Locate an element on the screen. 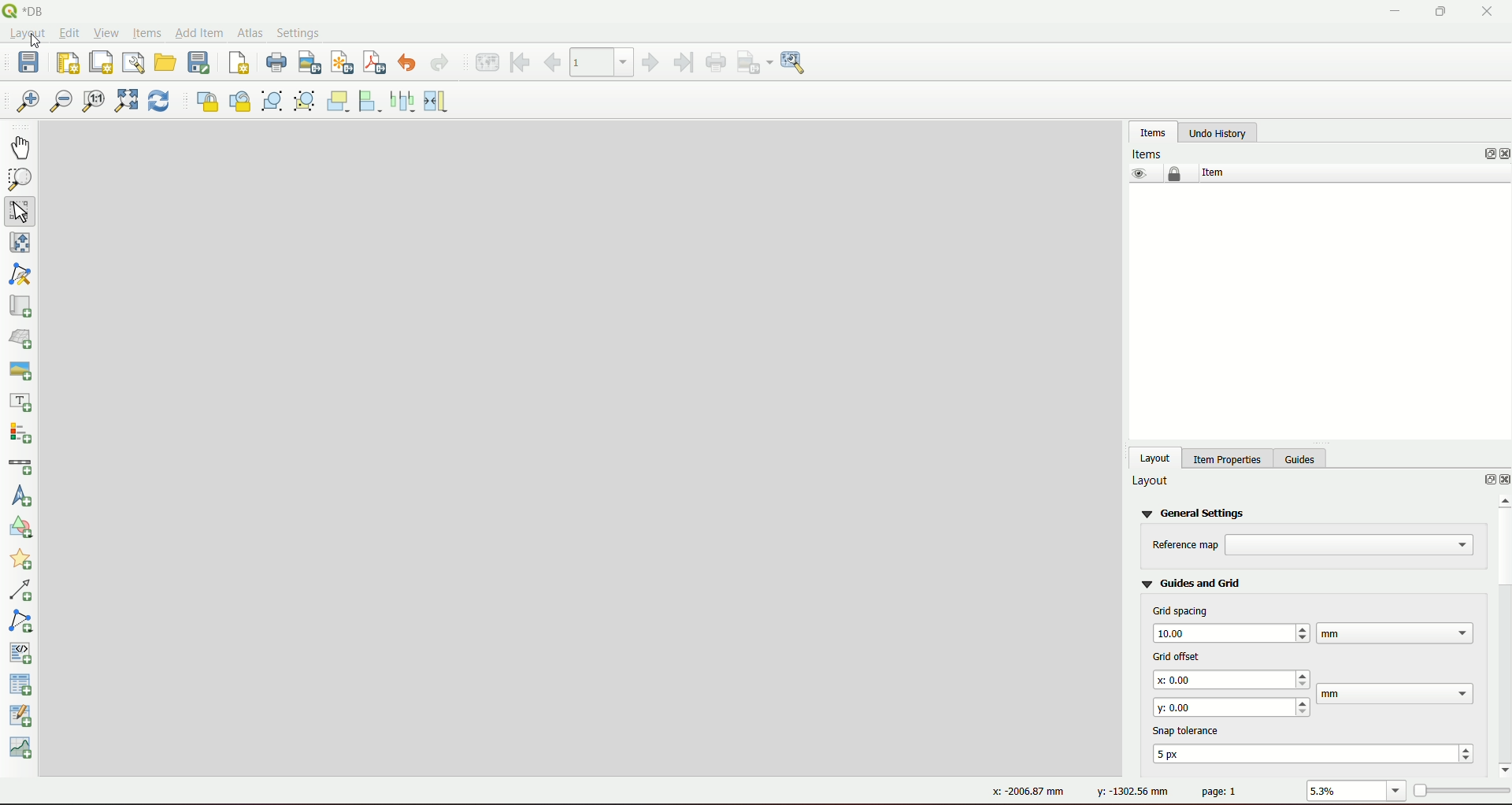 This screenshot has height=805, width=1512. add items from template is located at coordinates (166, 62).